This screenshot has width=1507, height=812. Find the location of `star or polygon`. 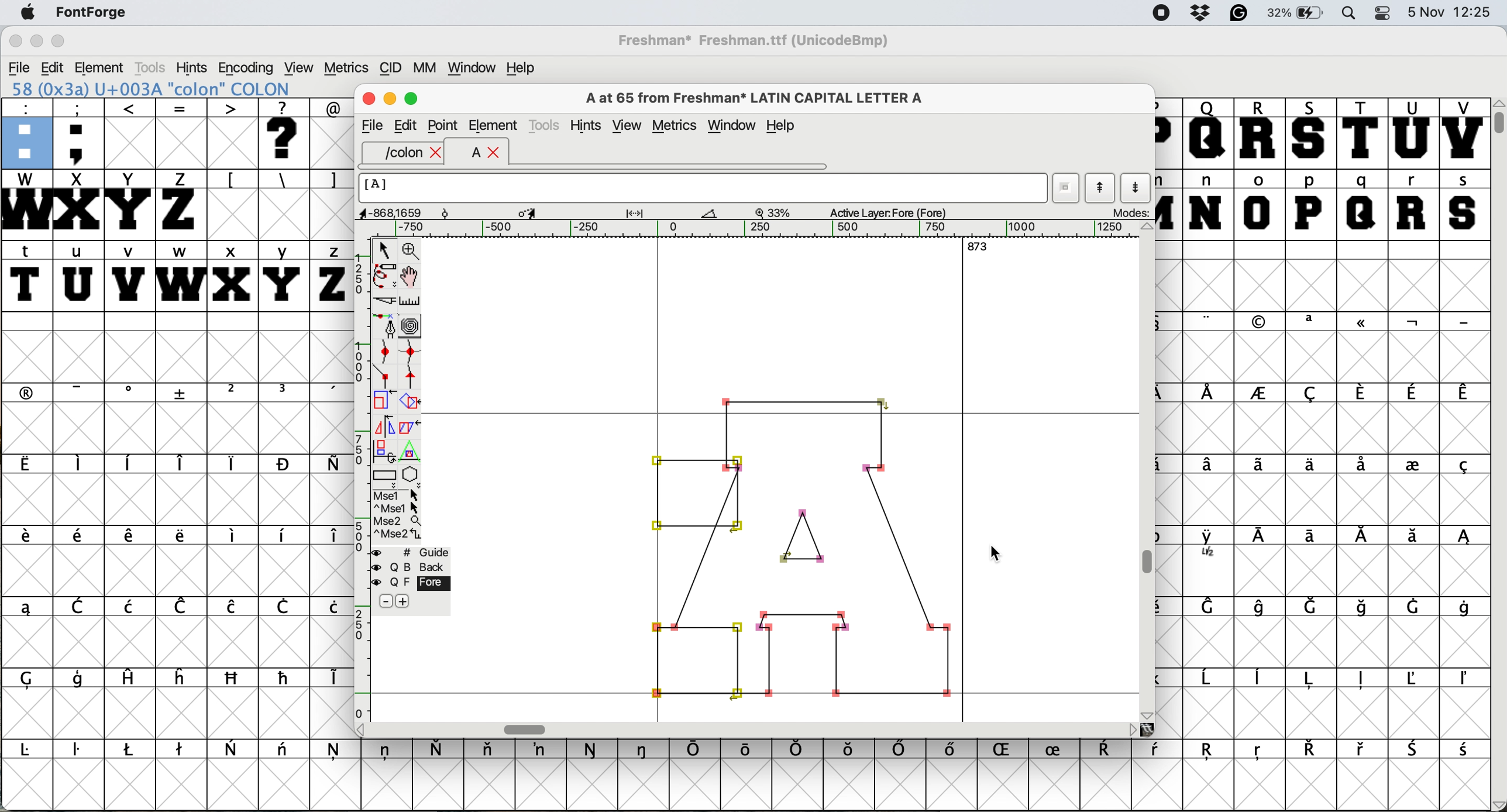

star or polygon is located at coordinates (414, 472).